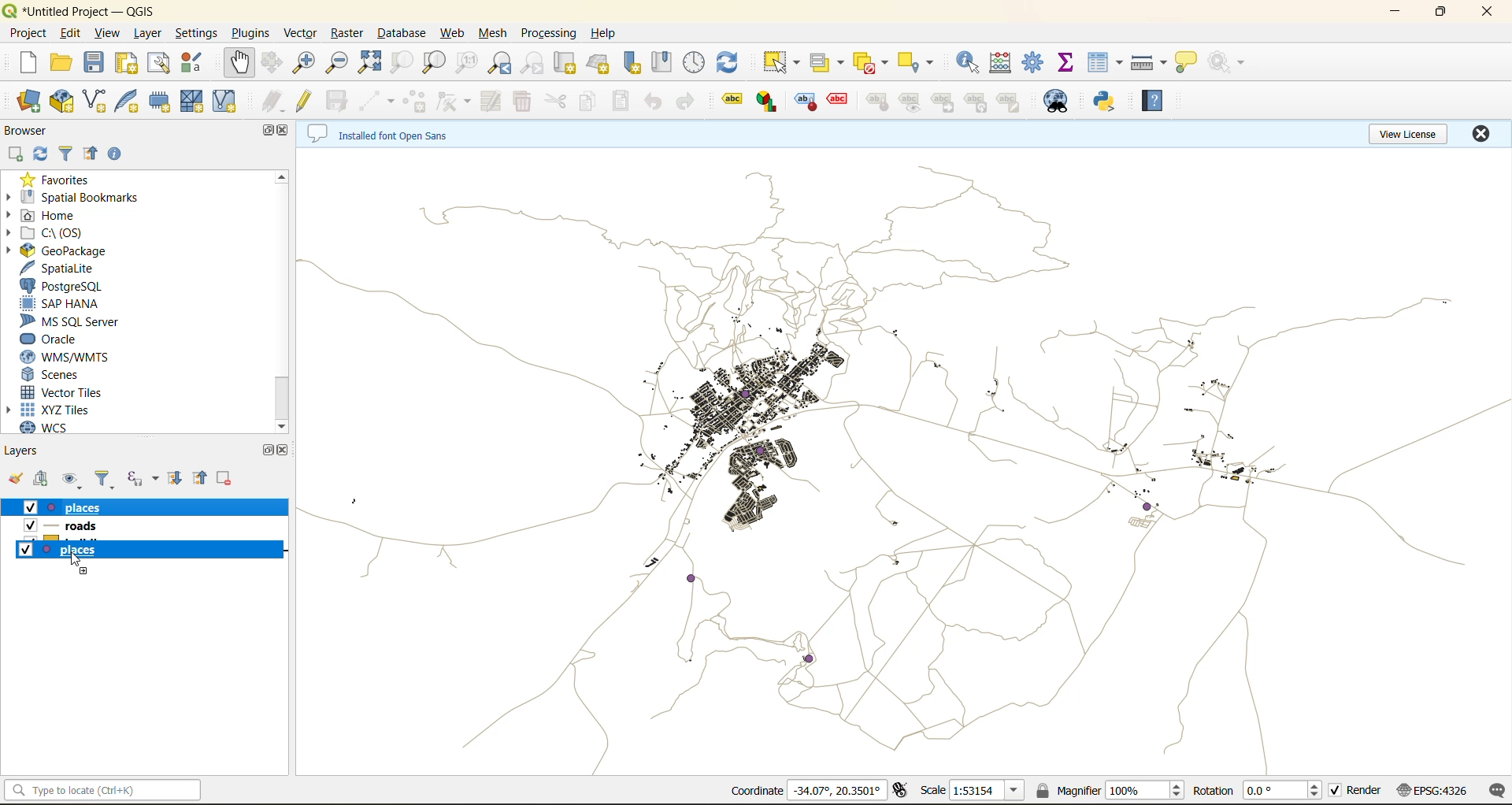 The height and width of the screenshot is (805, 1512). I want to click on select location, so click(921, 61).